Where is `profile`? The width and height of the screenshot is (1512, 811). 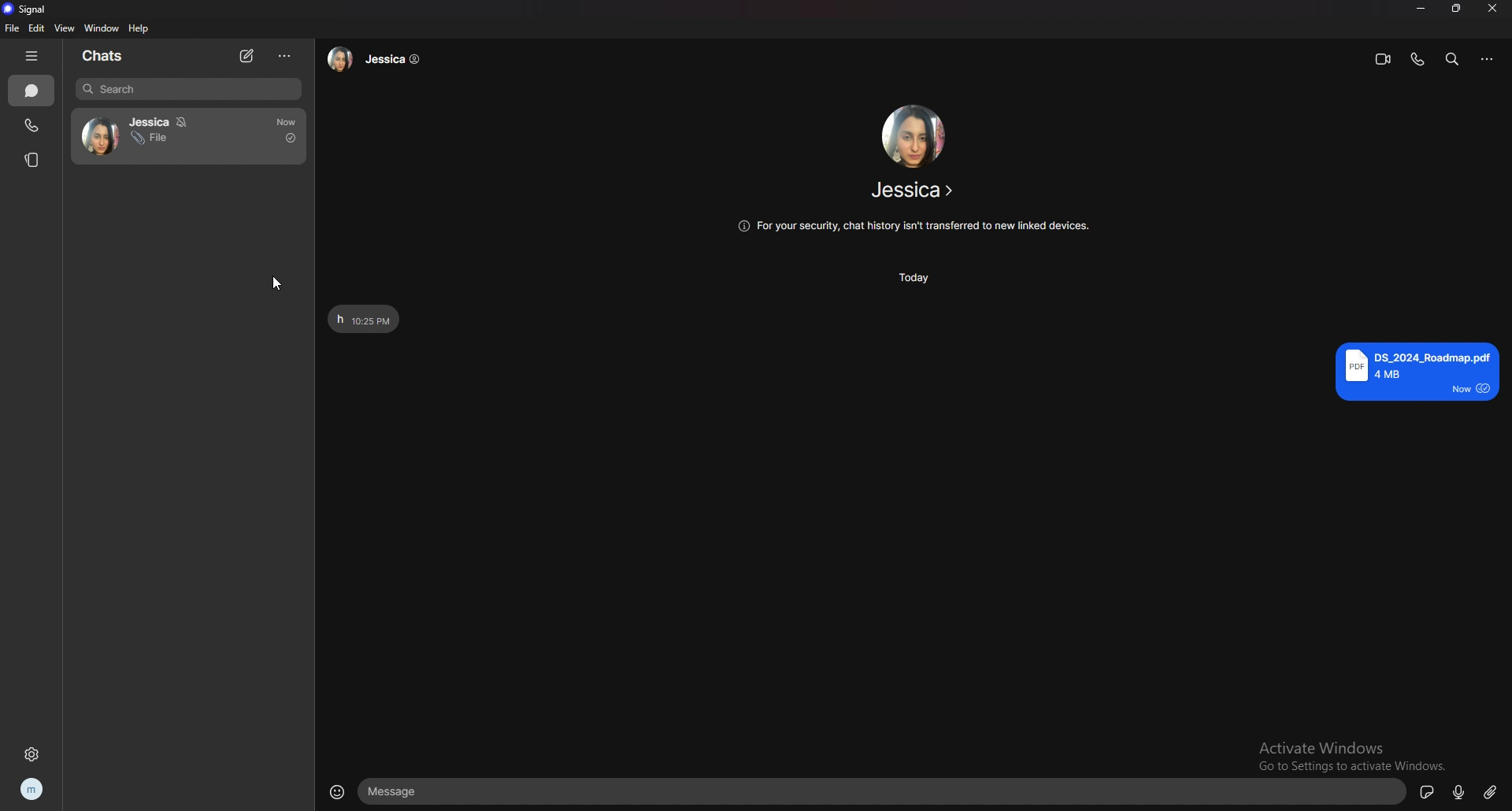 profile is located at coordinates (32, 791).